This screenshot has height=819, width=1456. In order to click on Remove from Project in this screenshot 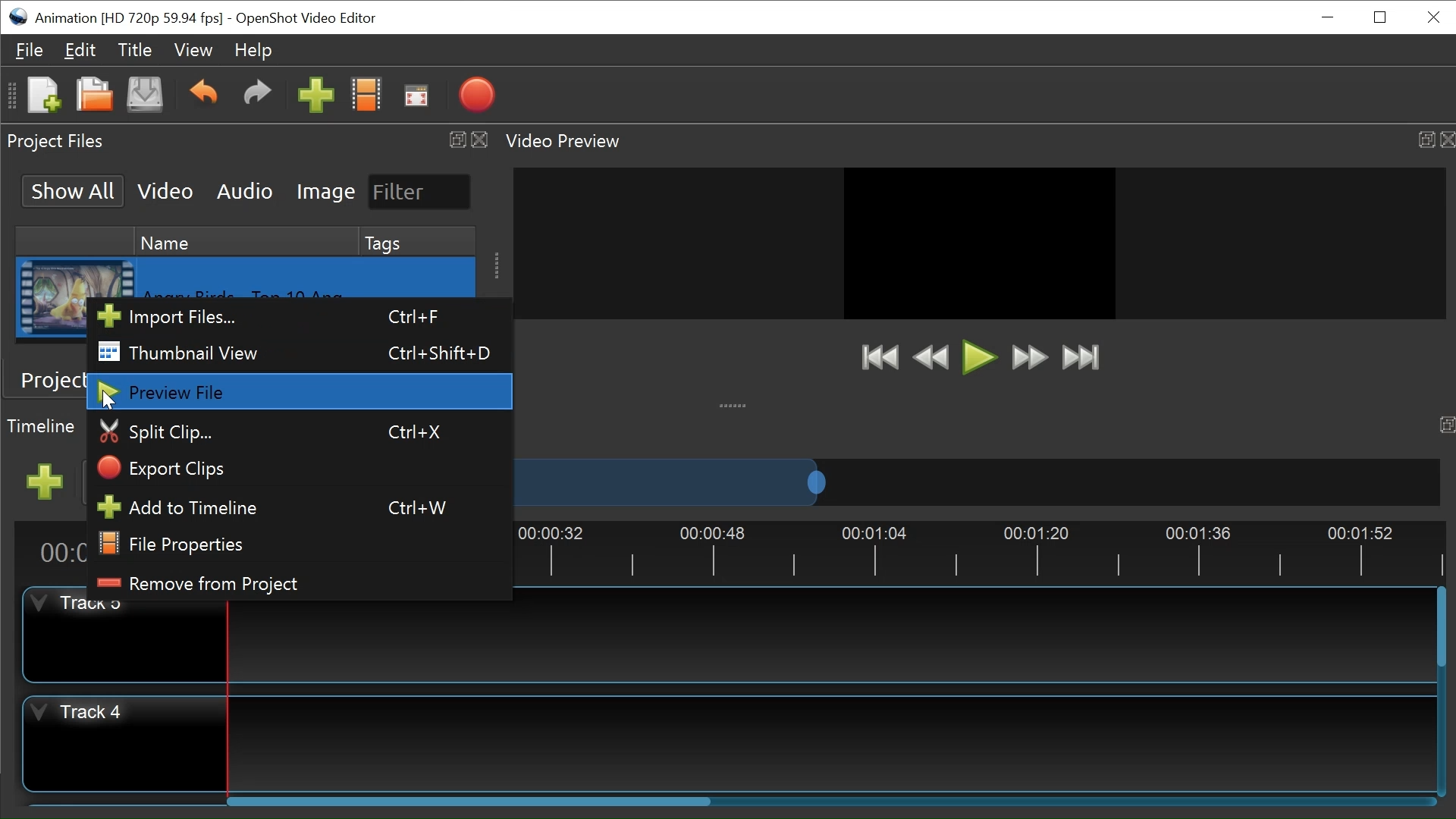, I will do `click(298, 585)`.